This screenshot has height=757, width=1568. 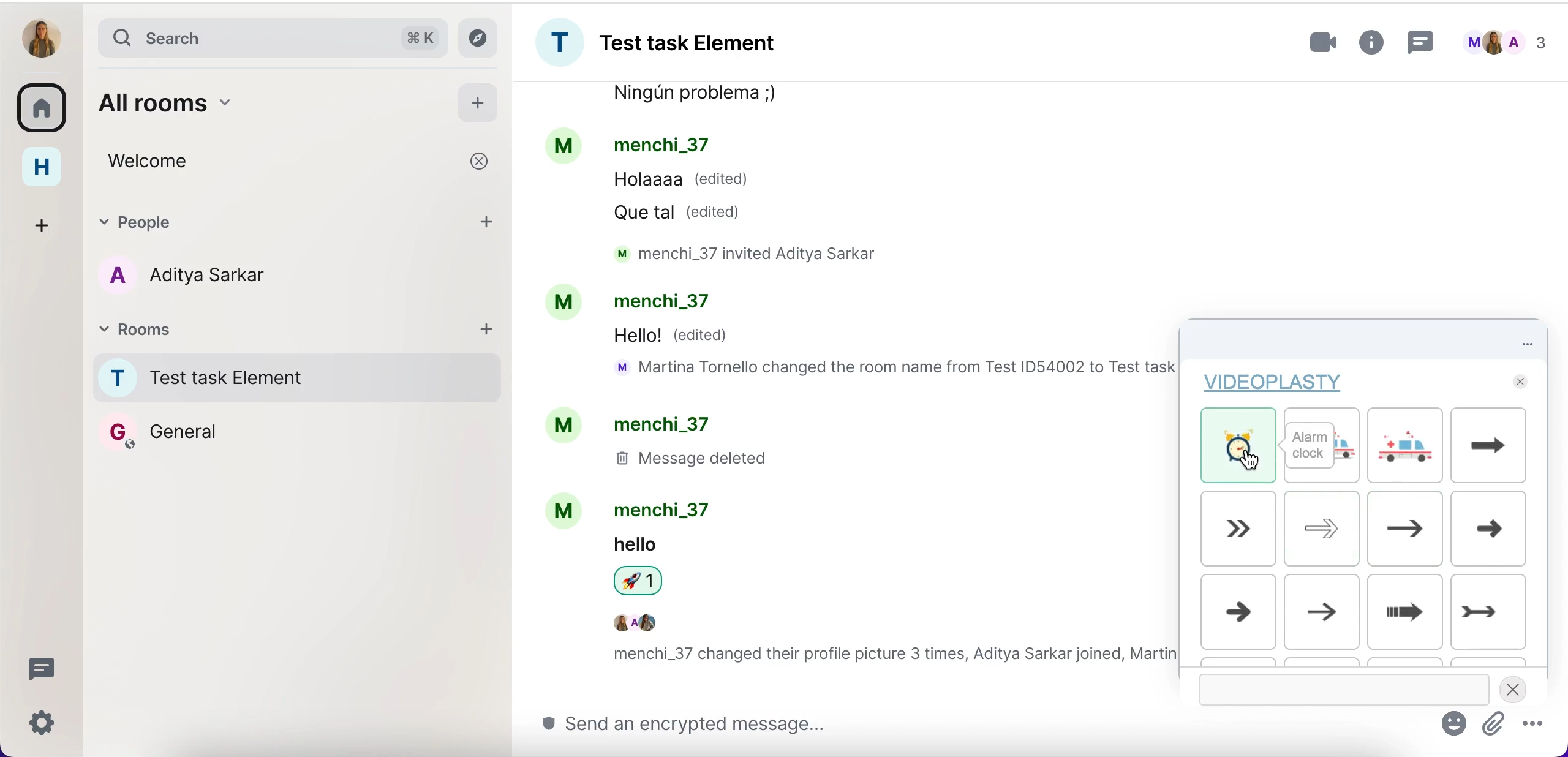 What do you see at coordinates (1373, 43) in the screenshot?
I see `more information` at bounding box center [1373, 43].